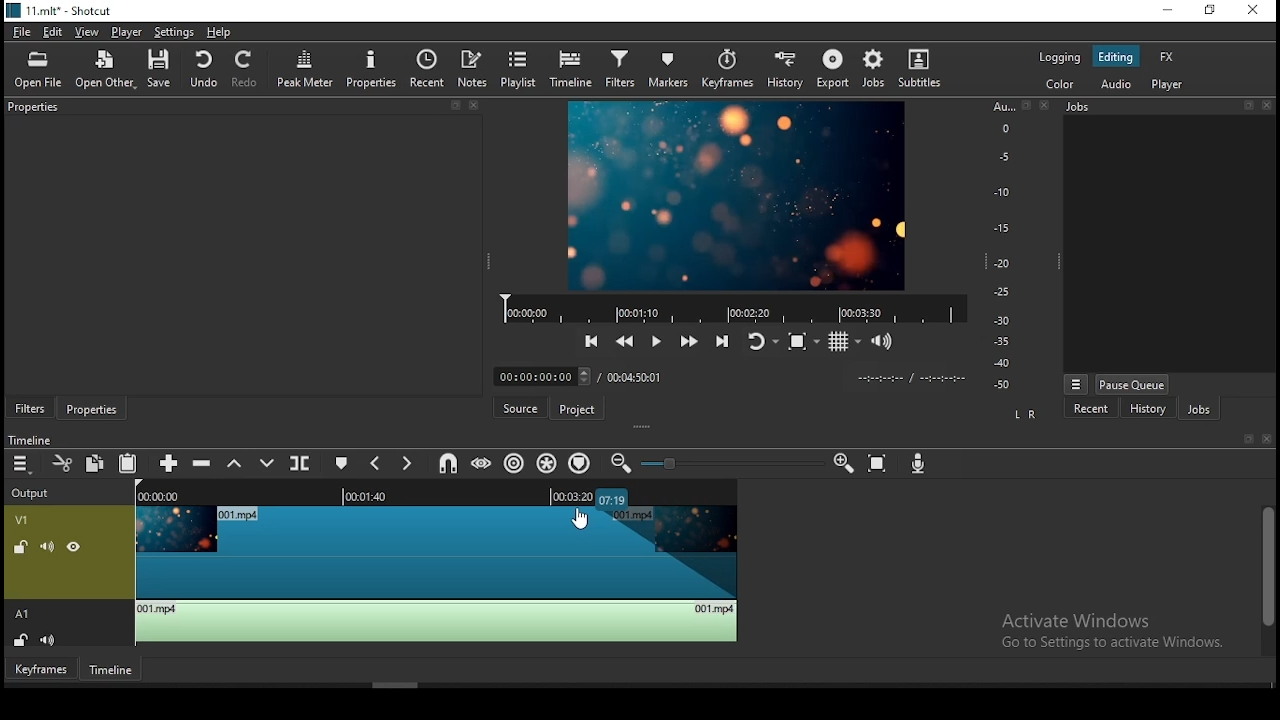  Describe the element at coordinates (622, 463) in the screenshot. I see `zoom timeline out` at that location.